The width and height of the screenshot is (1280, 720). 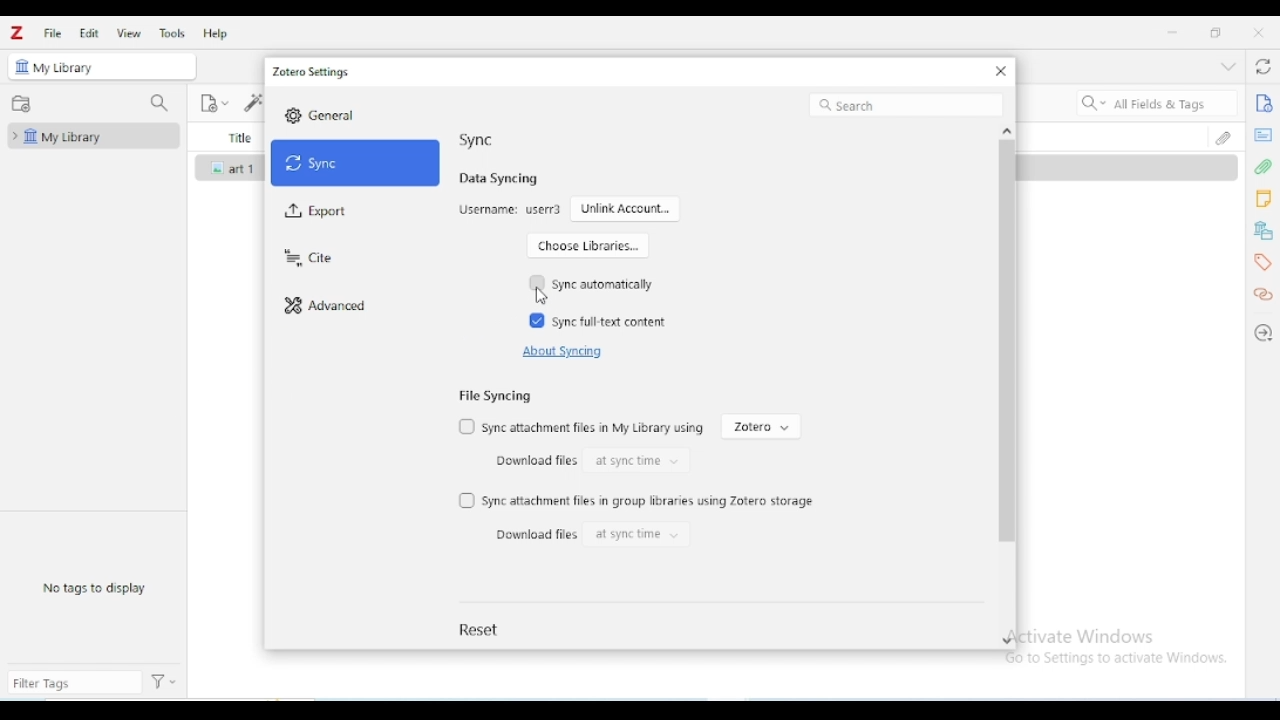 What do you see at coordinates (476, 139) in the screenshot?
I see `sync` at bounding box center [476, 139].